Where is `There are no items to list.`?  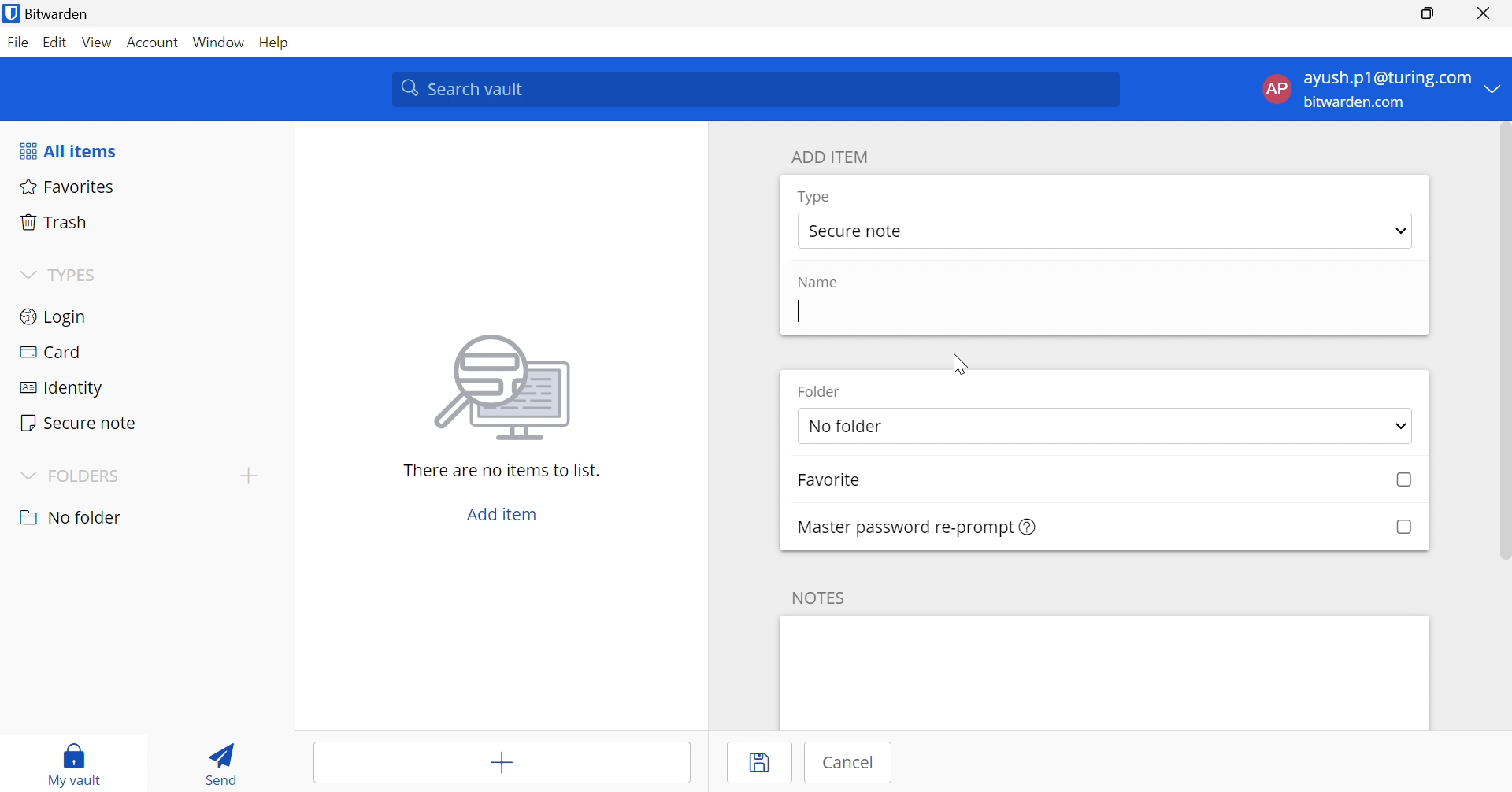 There are no items to list. is located at coordinates (502, 470).